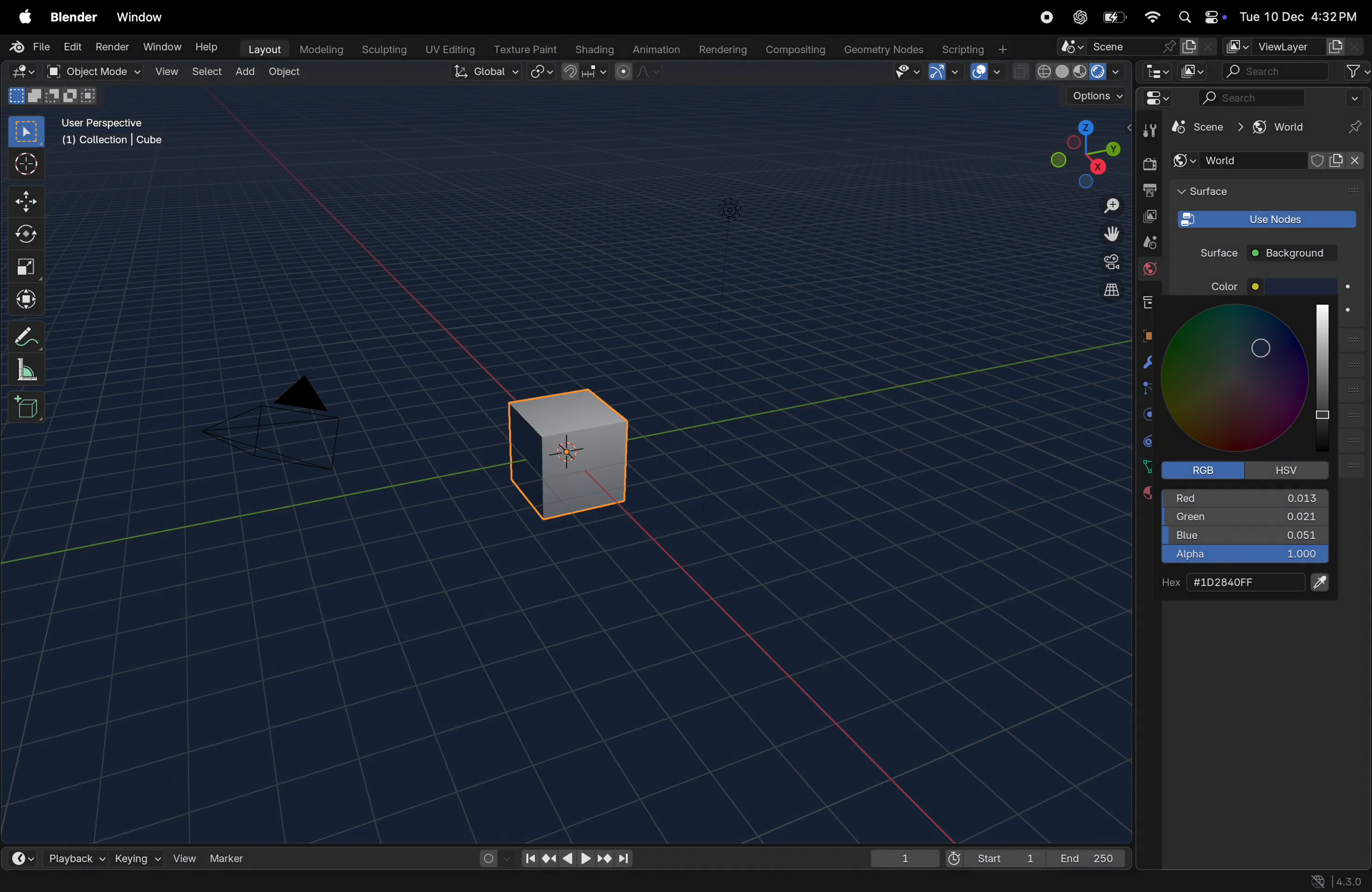 This screenshot has width=1372, height=892. What do you see at coordinates (576, 857) in the screenshot?
I see `playback controls` at bounding box center [576, 857].